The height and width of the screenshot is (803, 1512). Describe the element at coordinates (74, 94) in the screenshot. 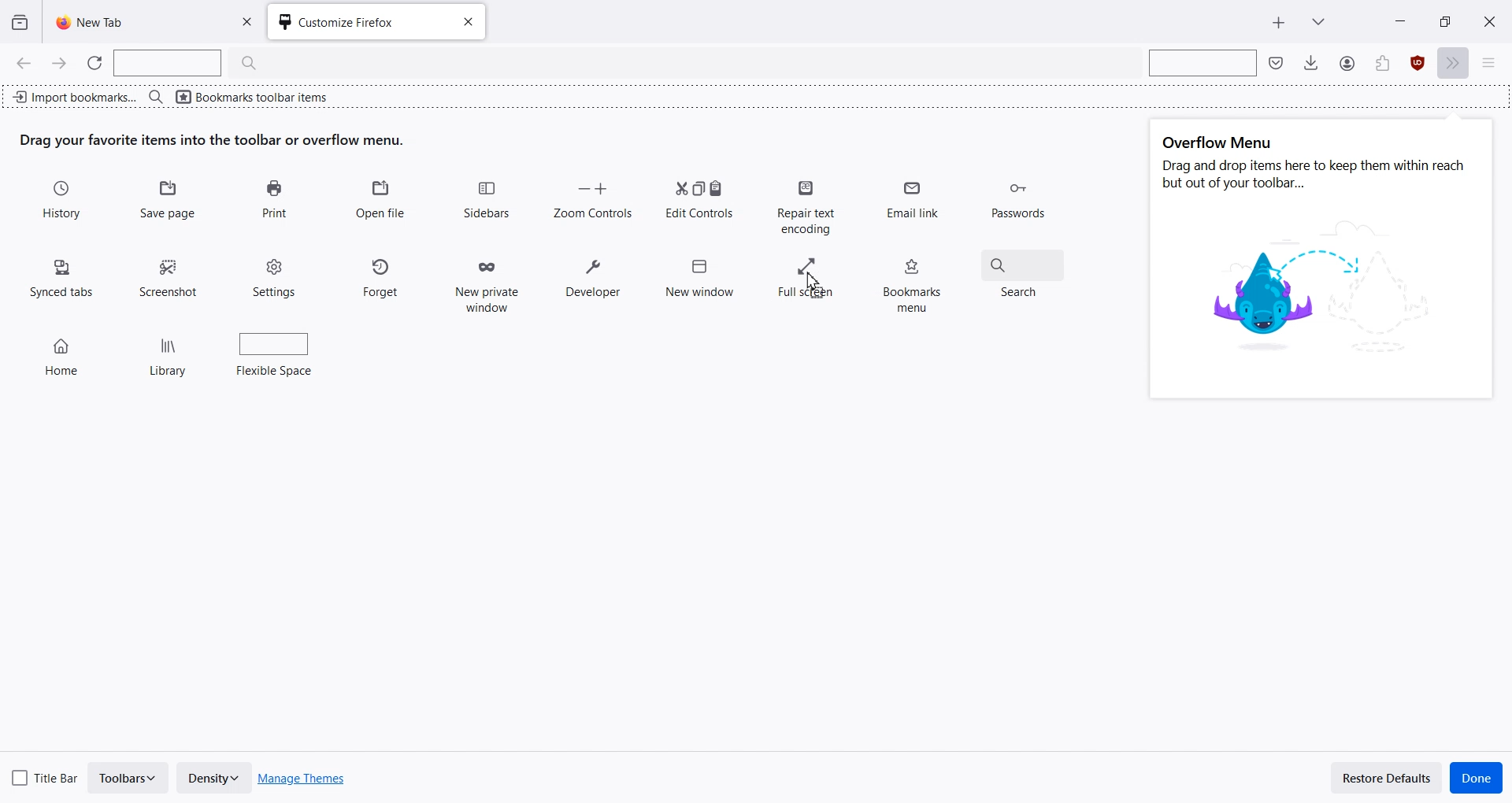

I see `Import bookmark` at that location.